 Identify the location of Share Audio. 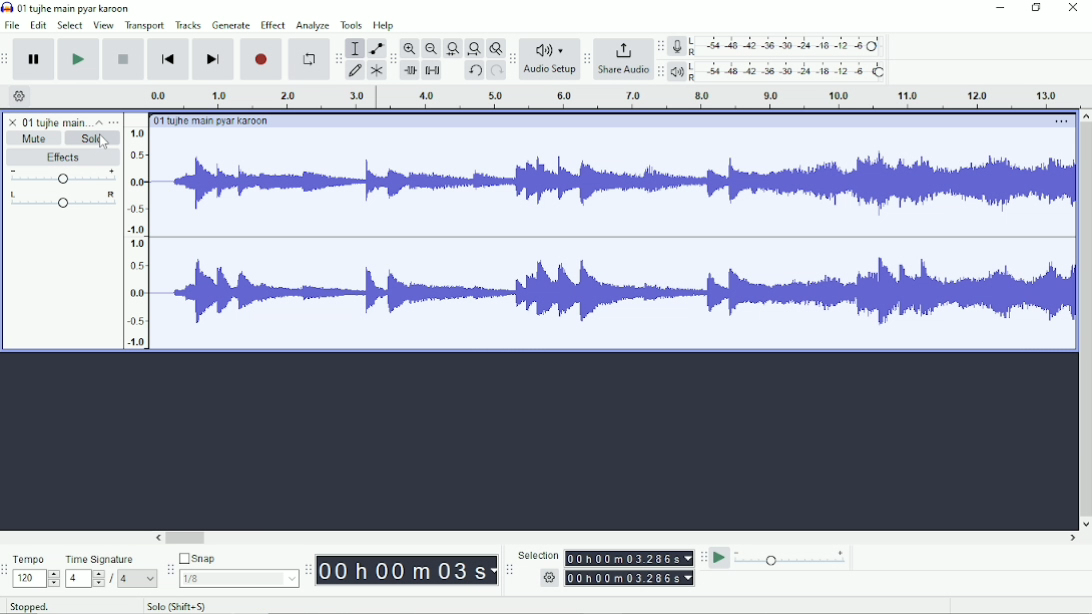
(623, 60).